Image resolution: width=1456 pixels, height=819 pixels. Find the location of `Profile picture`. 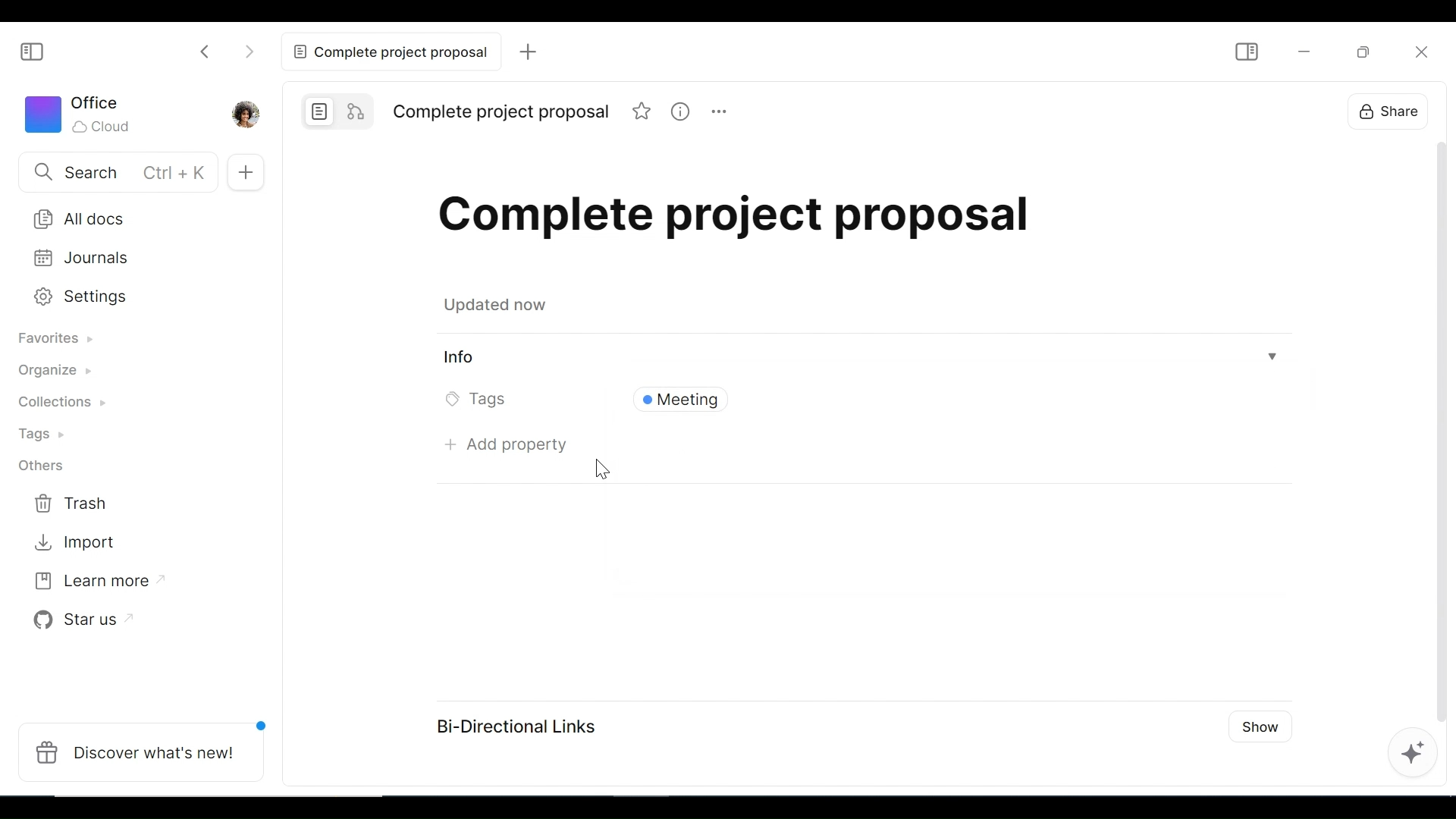

Profile picture is located at coordinates (246, 113).